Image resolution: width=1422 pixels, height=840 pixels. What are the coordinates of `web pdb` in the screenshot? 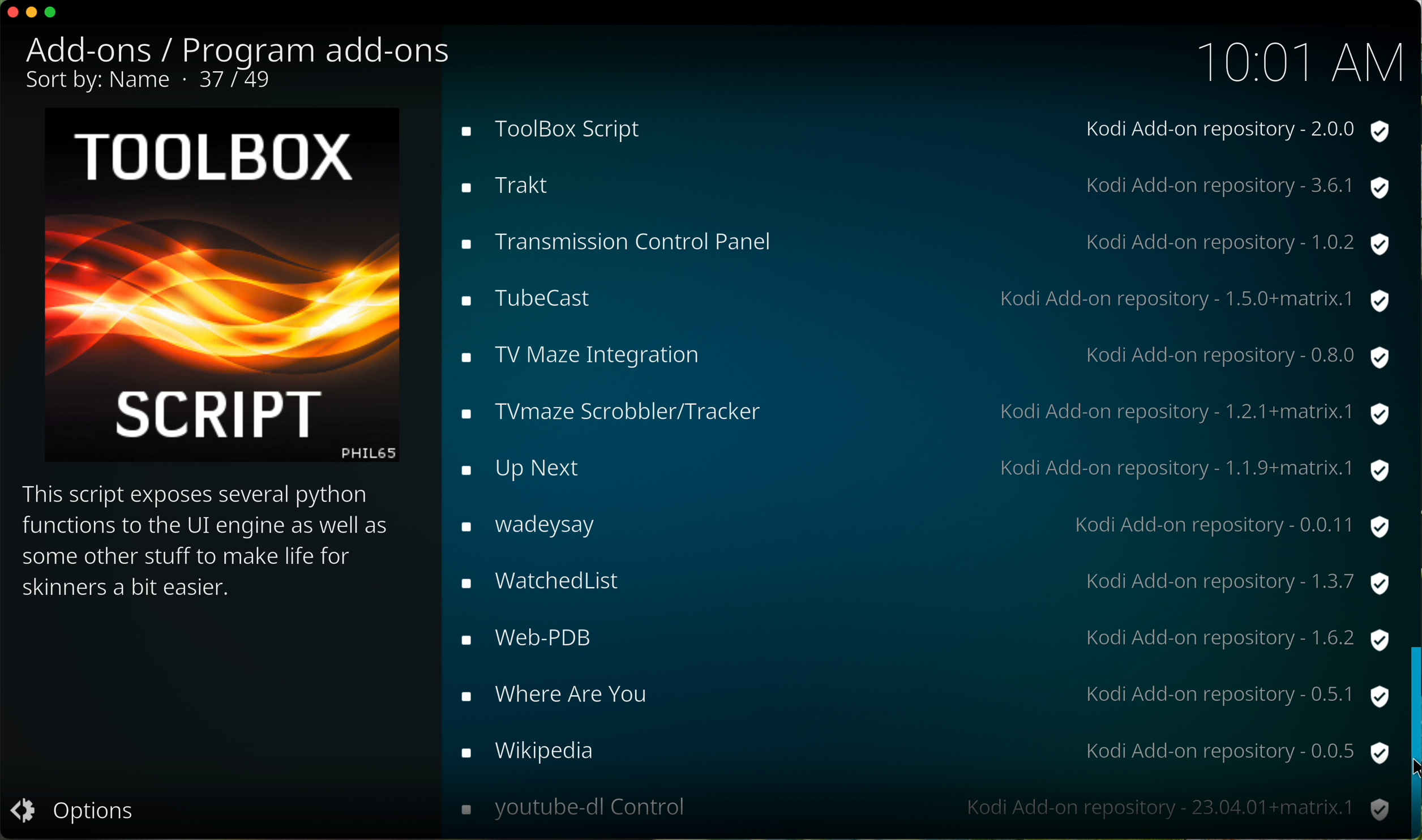 It's located at (918, 635).